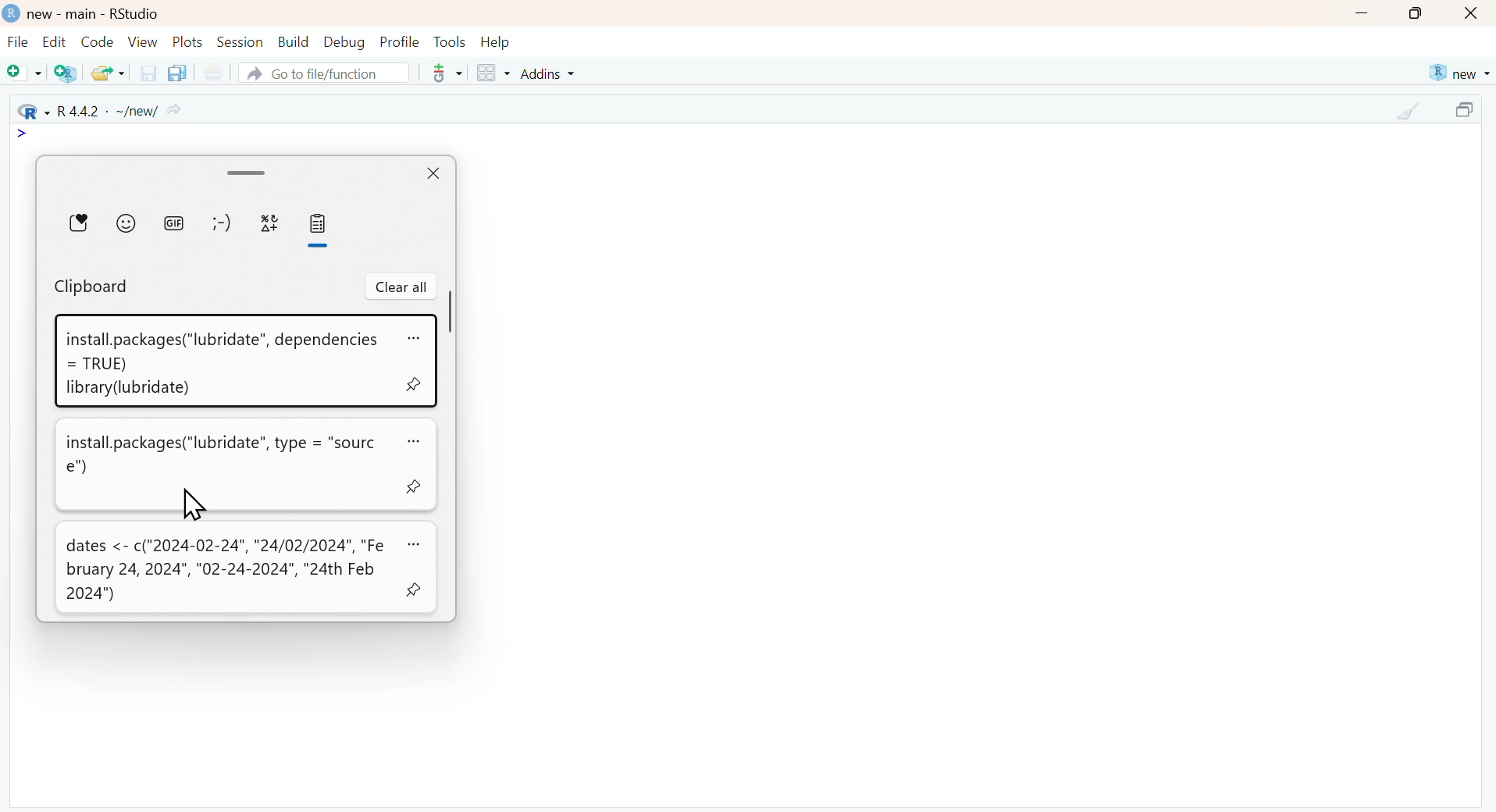 This screenshot has width=1496, height=812. I want to click on GIF, so click(173, 223).